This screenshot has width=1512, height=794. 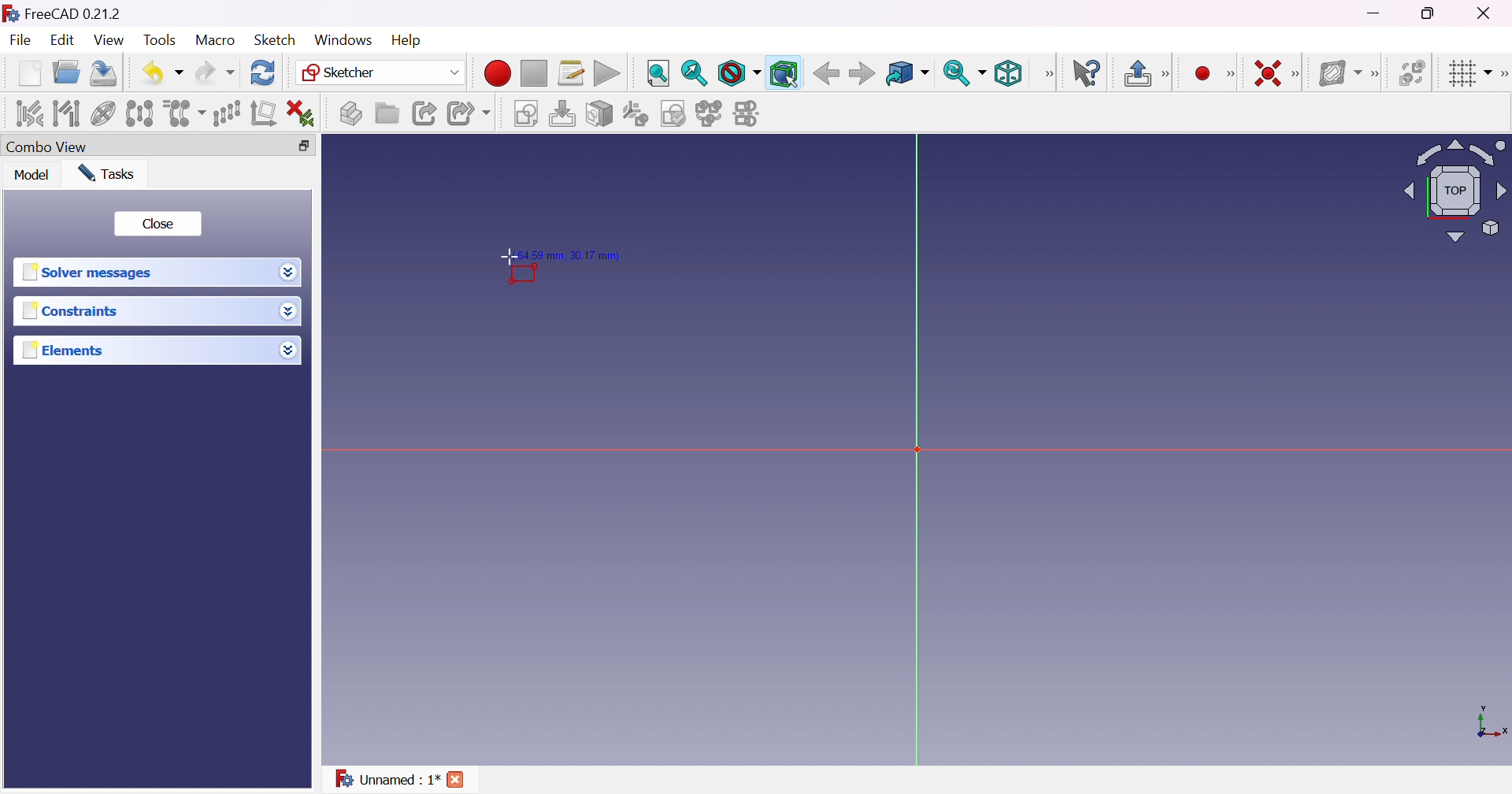 I want to click on Macros, so click(x=572, y=72).